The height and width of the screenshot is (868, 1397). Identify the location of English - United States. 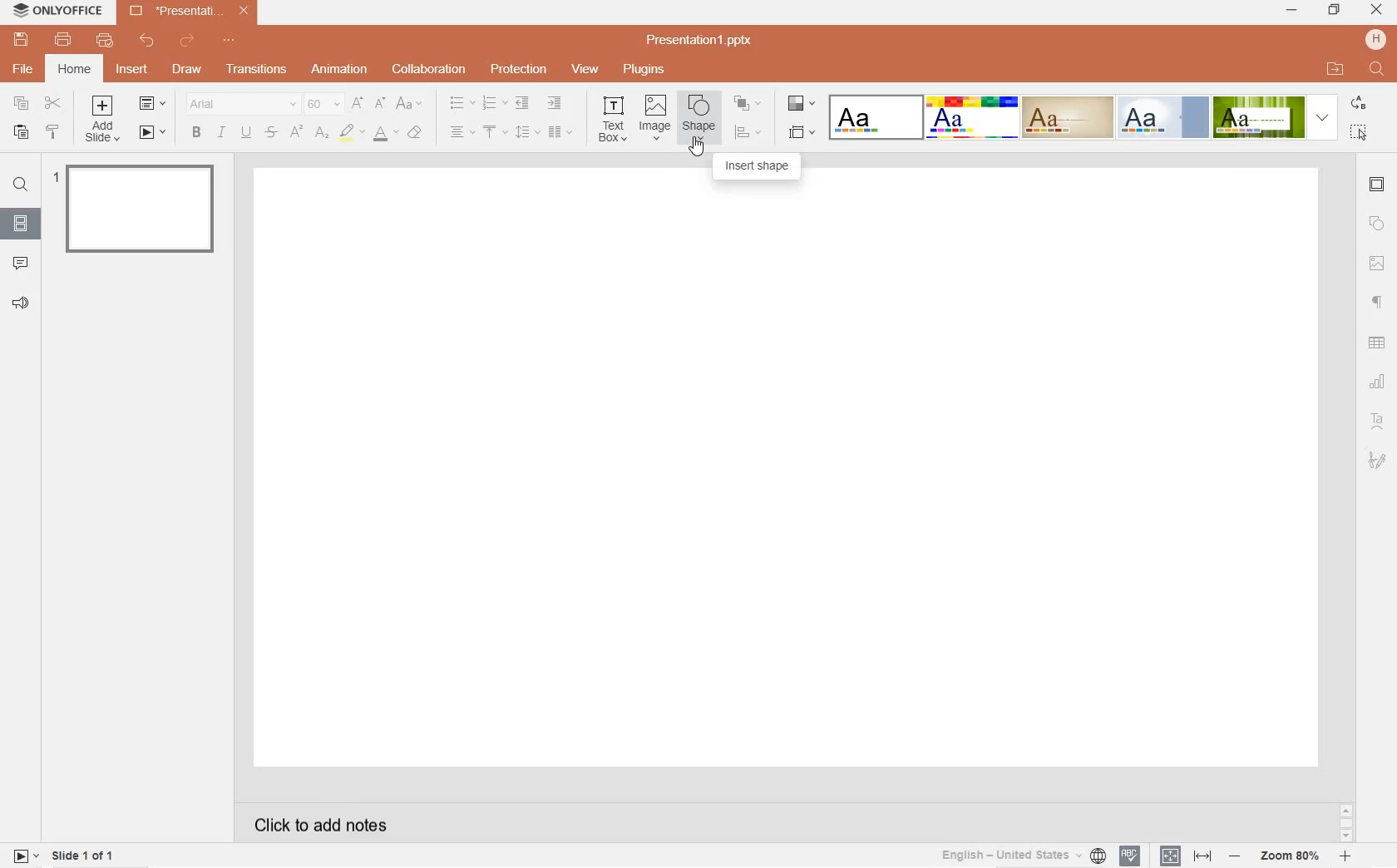
(1021, 856).